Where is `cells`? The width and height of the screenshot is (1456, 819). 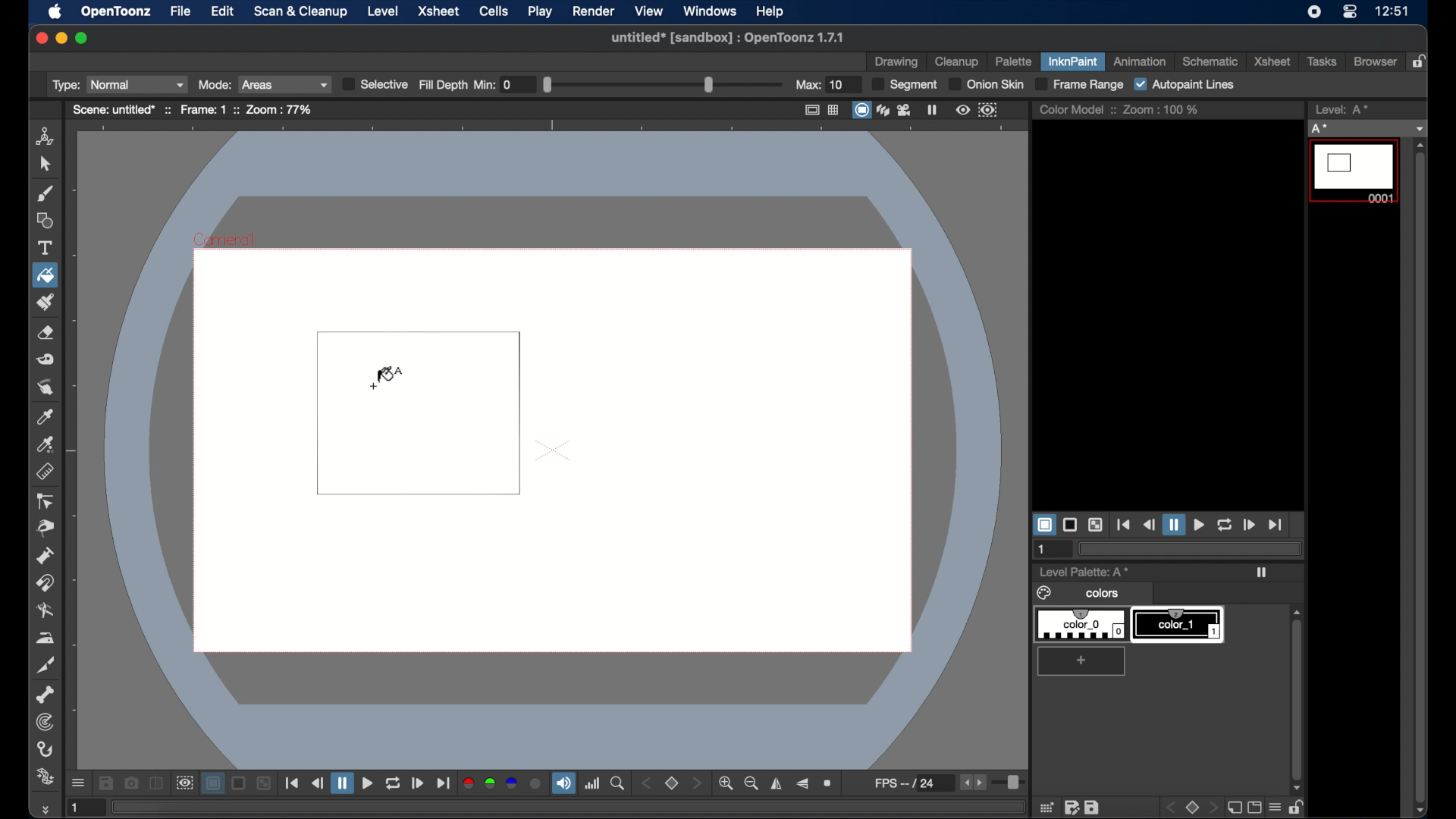 cells is located at coordinates (492, 11).